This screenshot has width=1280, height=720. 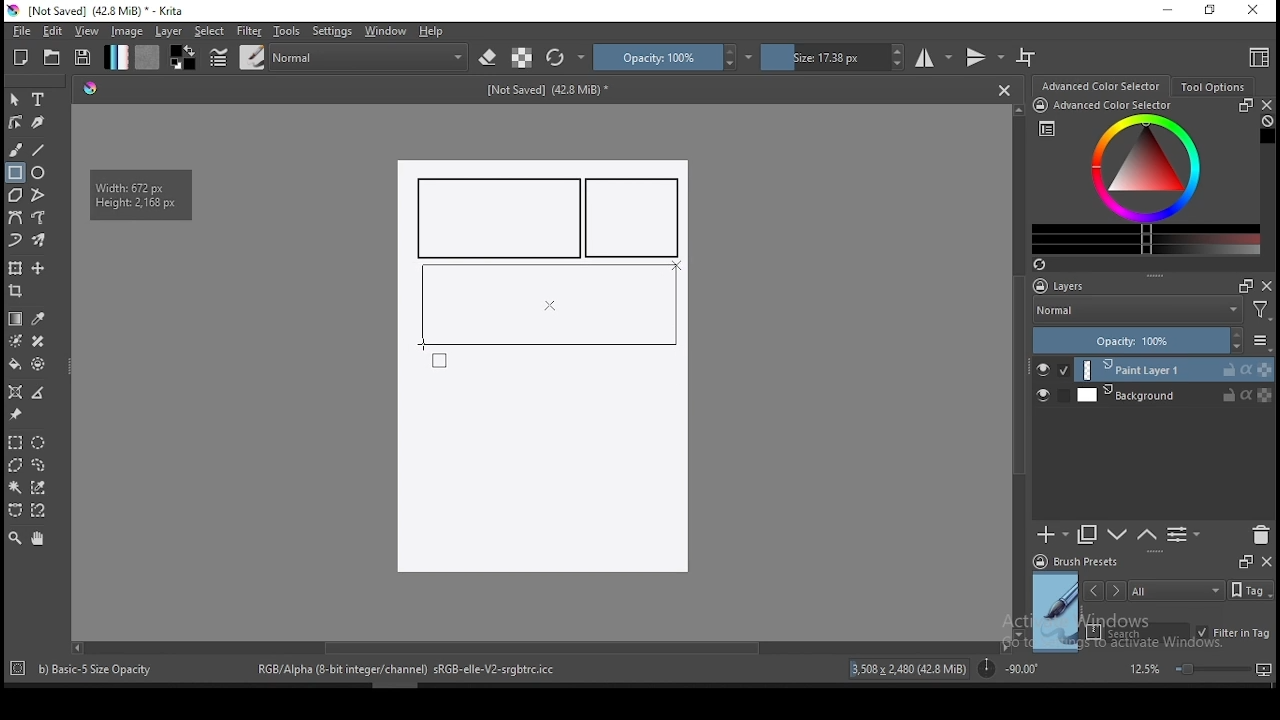 What do you see at coordinates (252, 57) in the screenshot?
I see `brushes` at bounding box center [252, 57].